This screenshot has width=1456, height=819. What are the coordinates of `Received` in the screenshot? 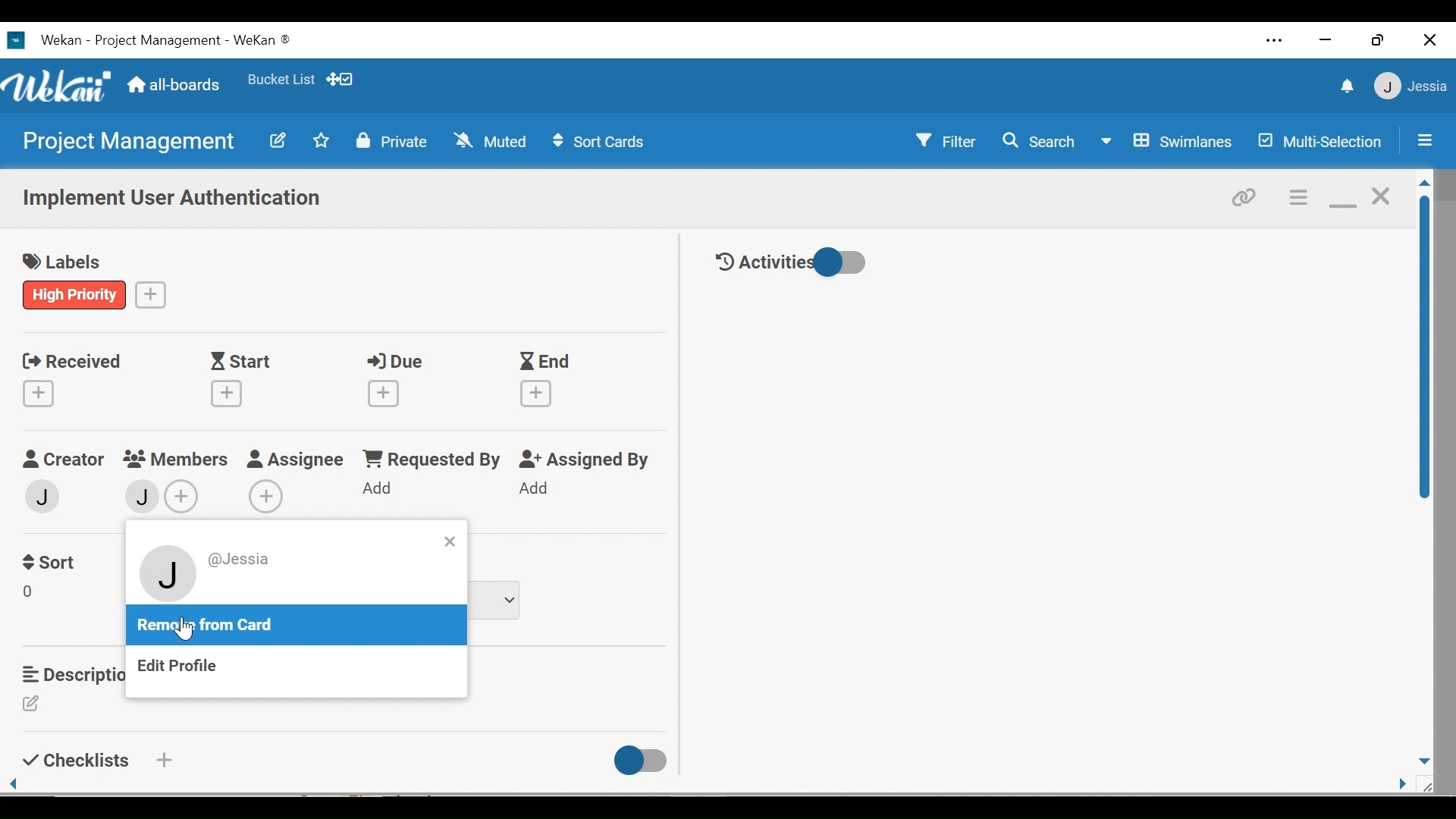 It's located at (67, 381).